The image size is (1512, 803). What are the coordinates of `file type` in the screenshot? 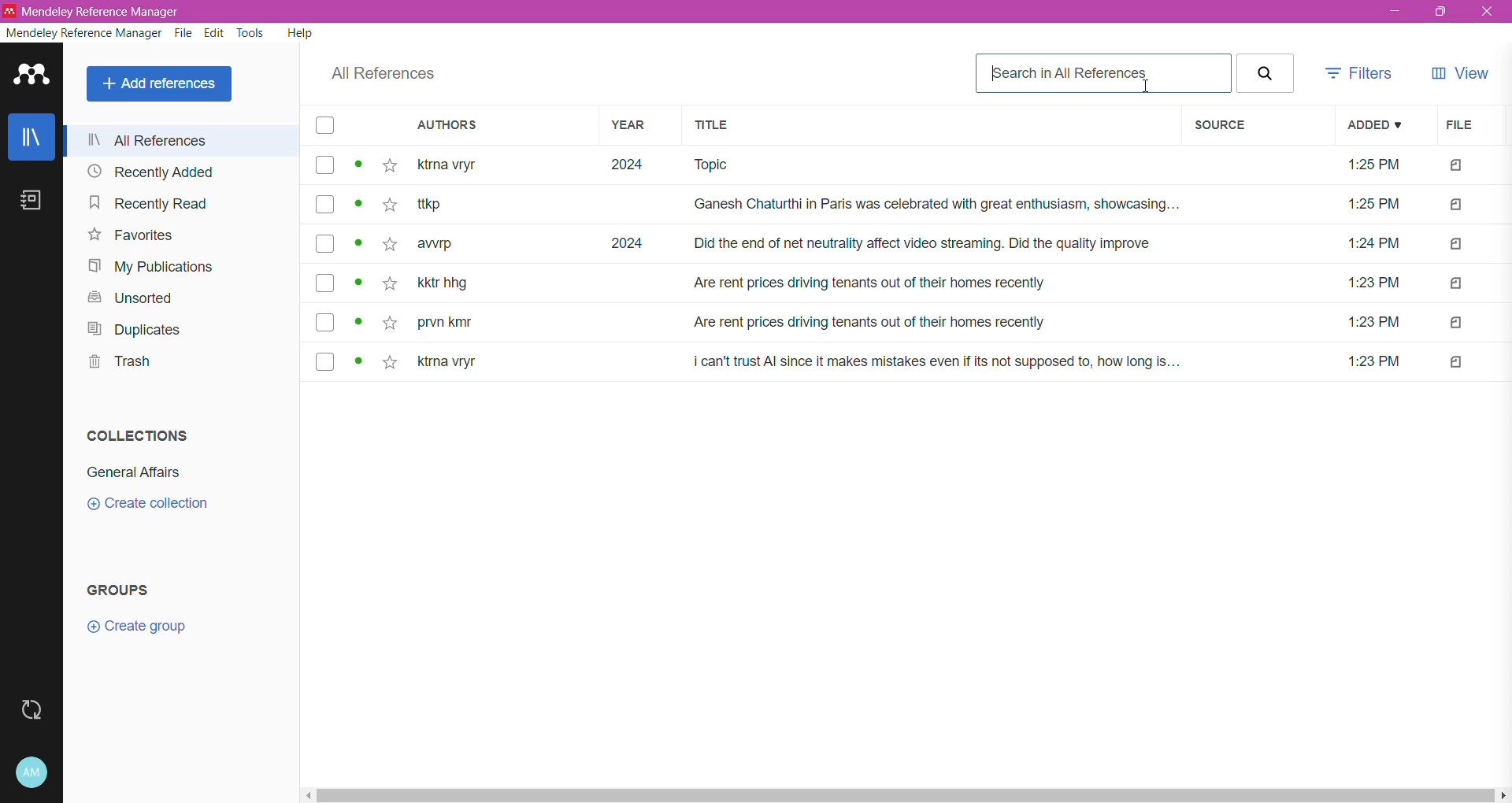 It's located at (1456, 206).